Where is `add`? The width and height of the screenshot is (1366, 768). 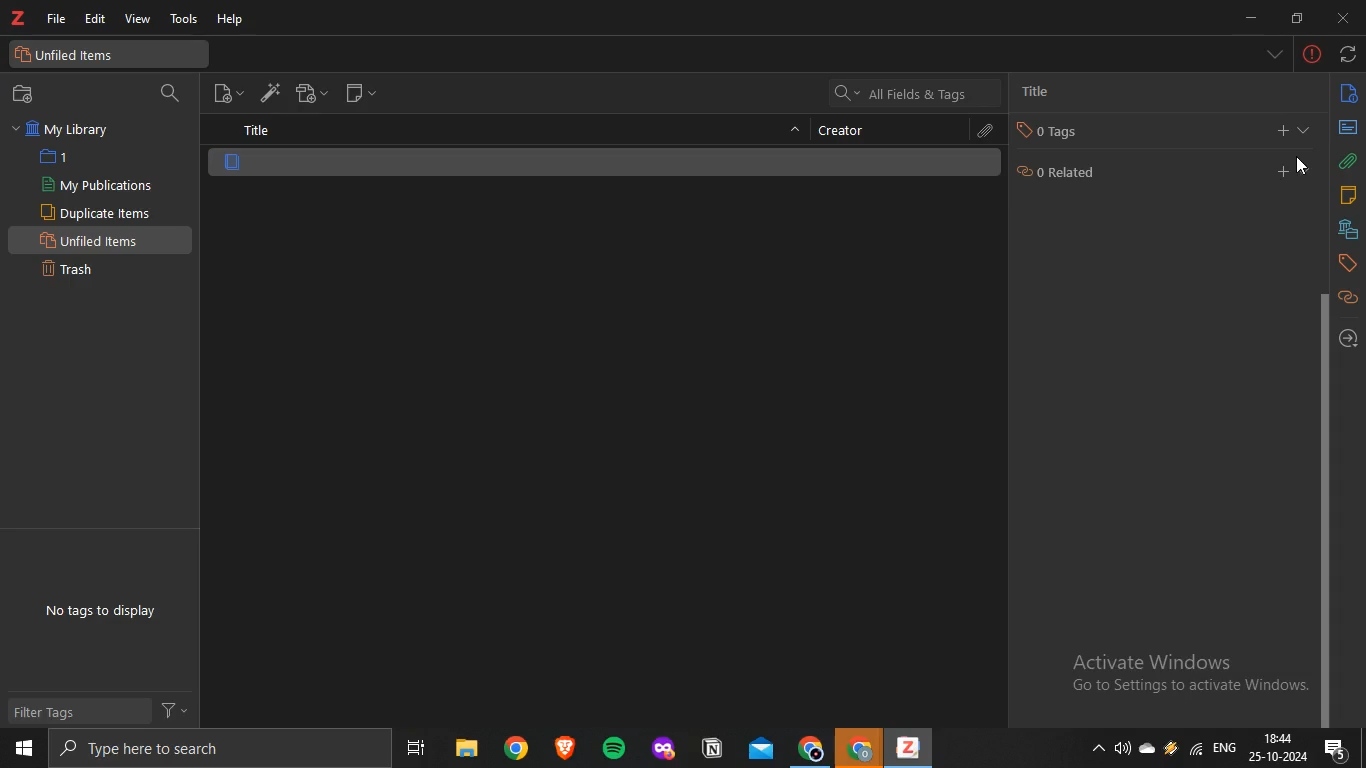
add is located at coordinates (1283, 130).